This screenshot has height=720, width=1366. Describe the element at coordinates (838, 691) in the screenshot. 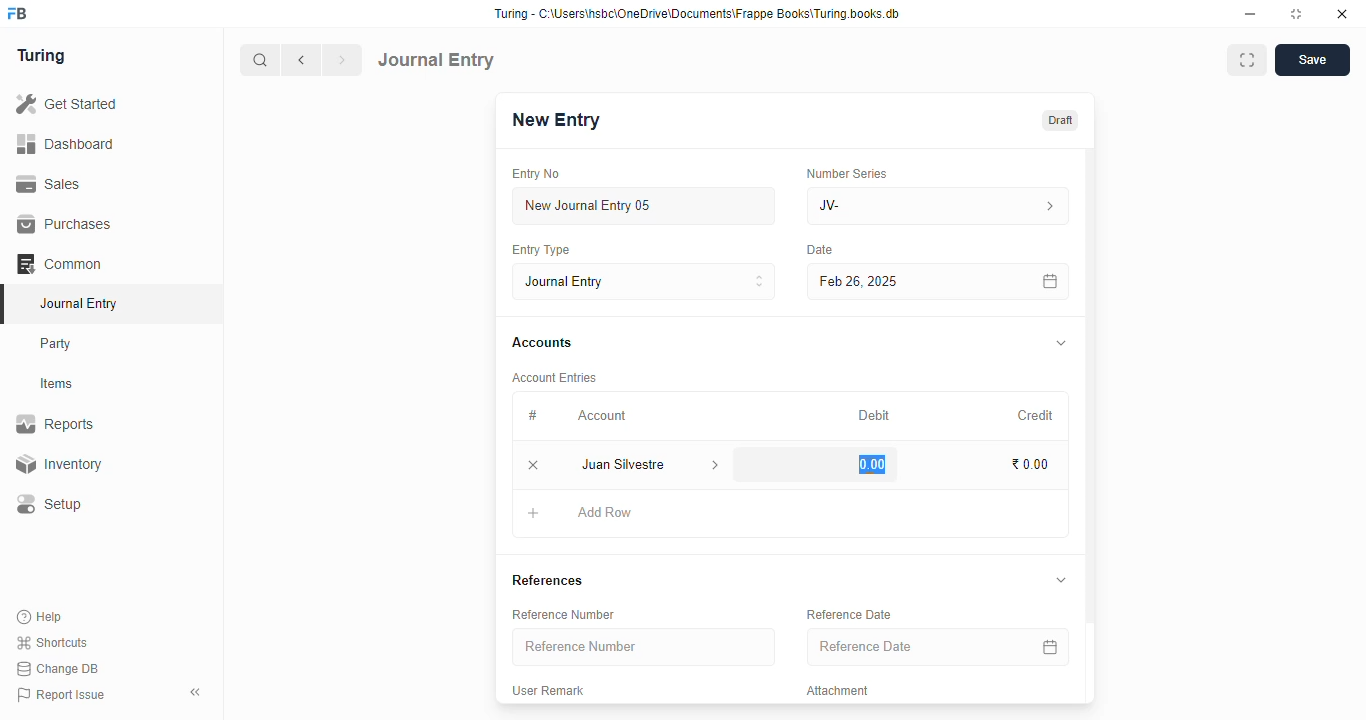

I see `attachment` at that location.